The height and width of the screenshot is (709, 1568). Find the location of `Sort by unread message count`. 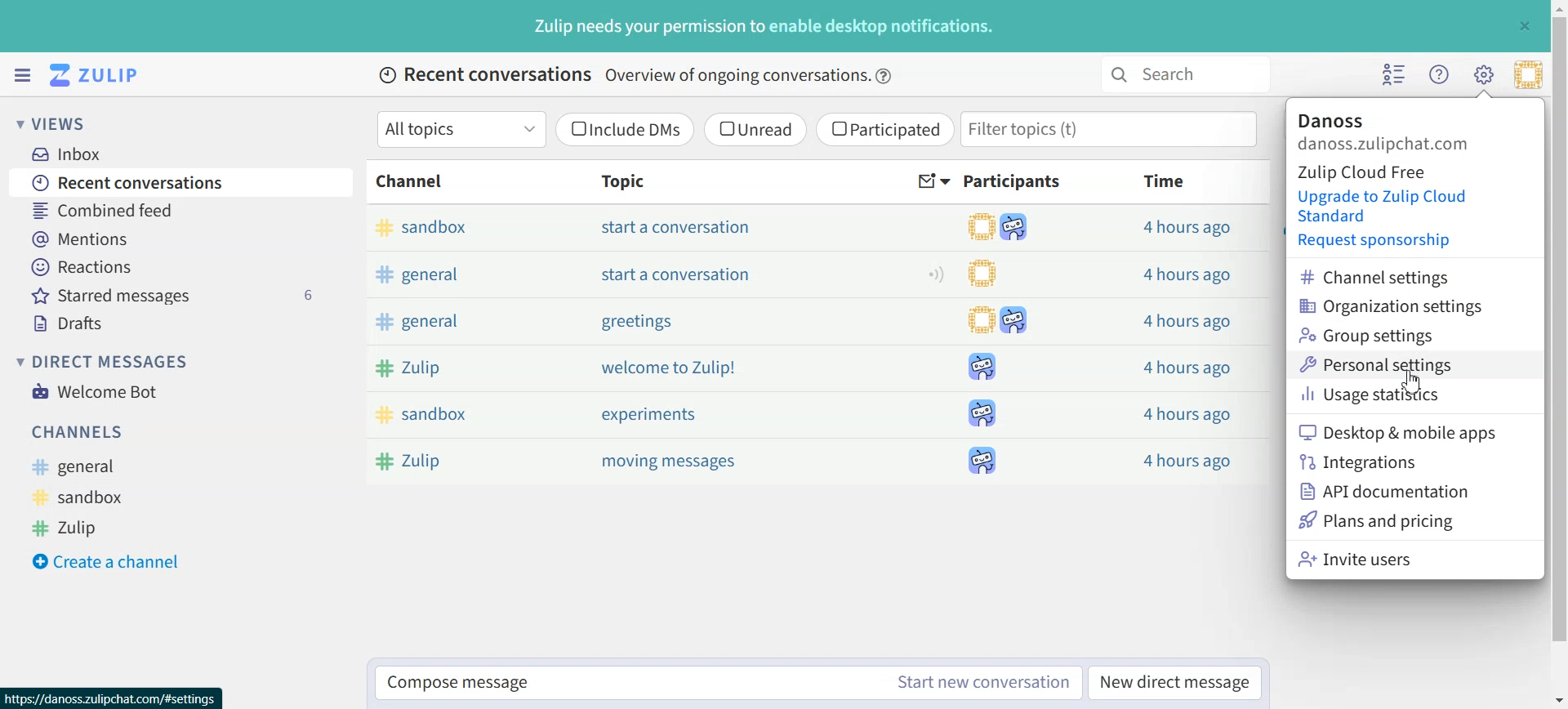

Sort by unread message count is located at coordinates (934, 182).